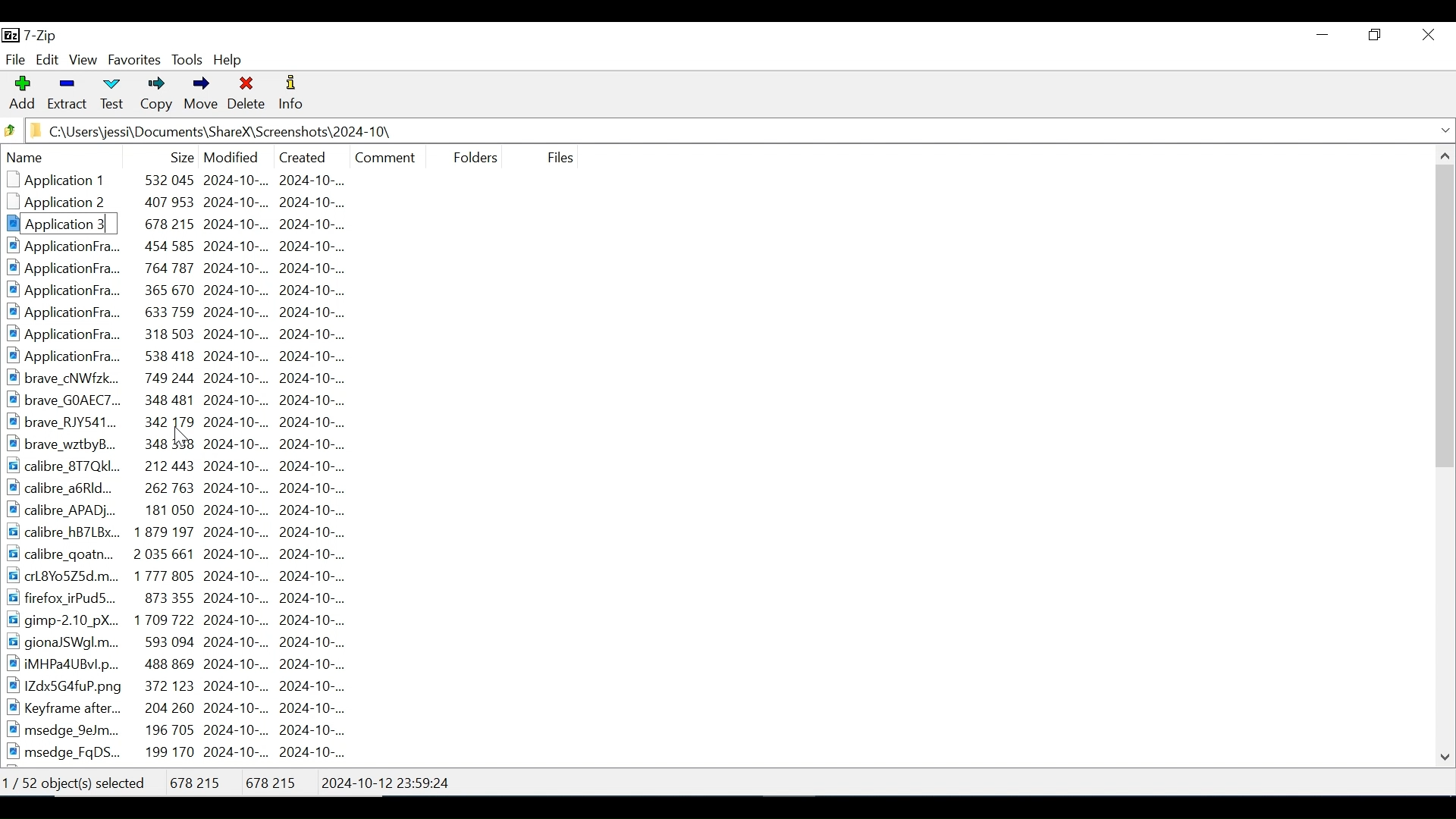  What do you see at coordinates (230, 59) in the screenshot?
I see `Help` at bounding box center [230, 59].